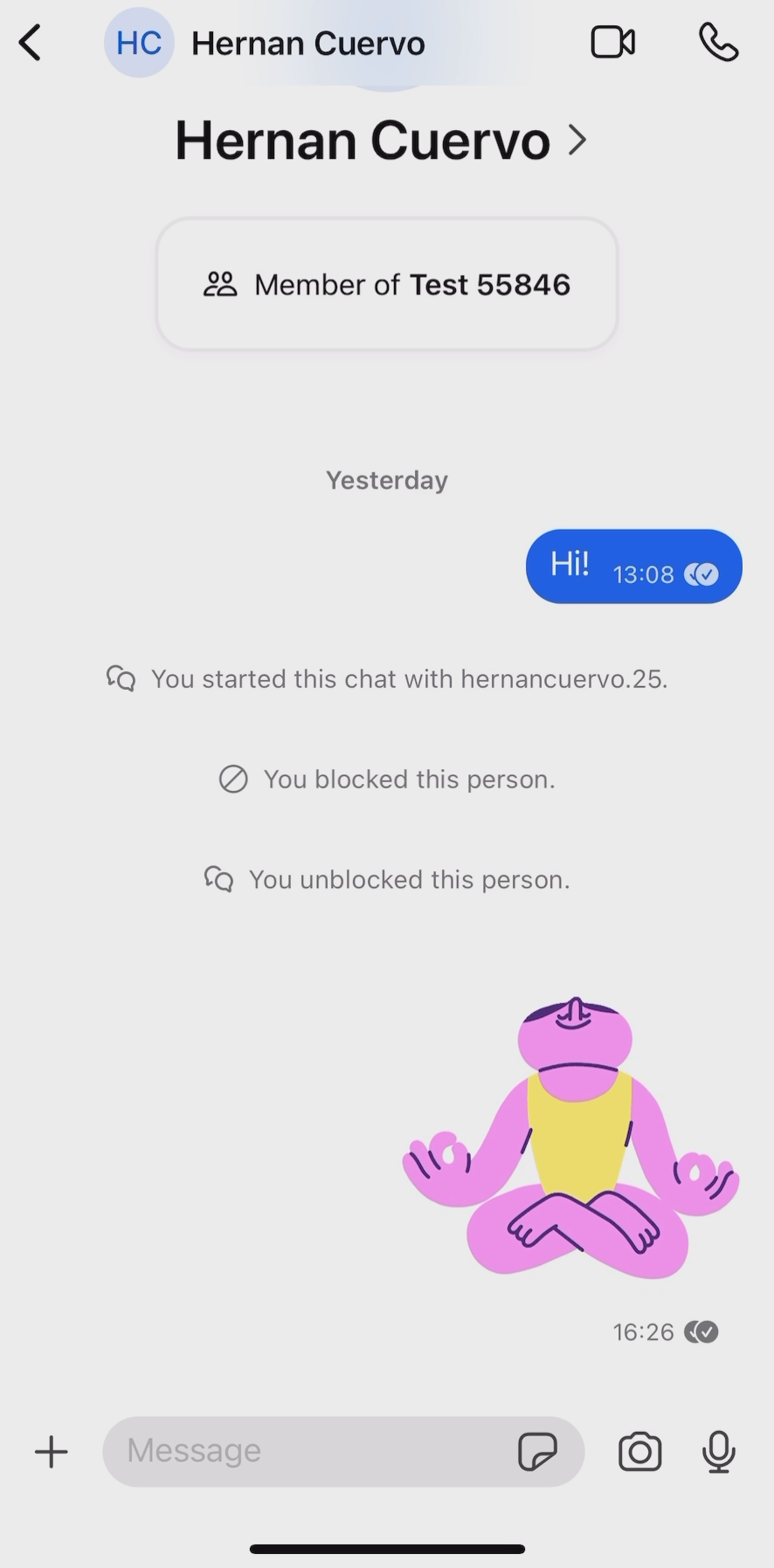  I want to click on Hernan Cuervo contact, so click(385, 145).